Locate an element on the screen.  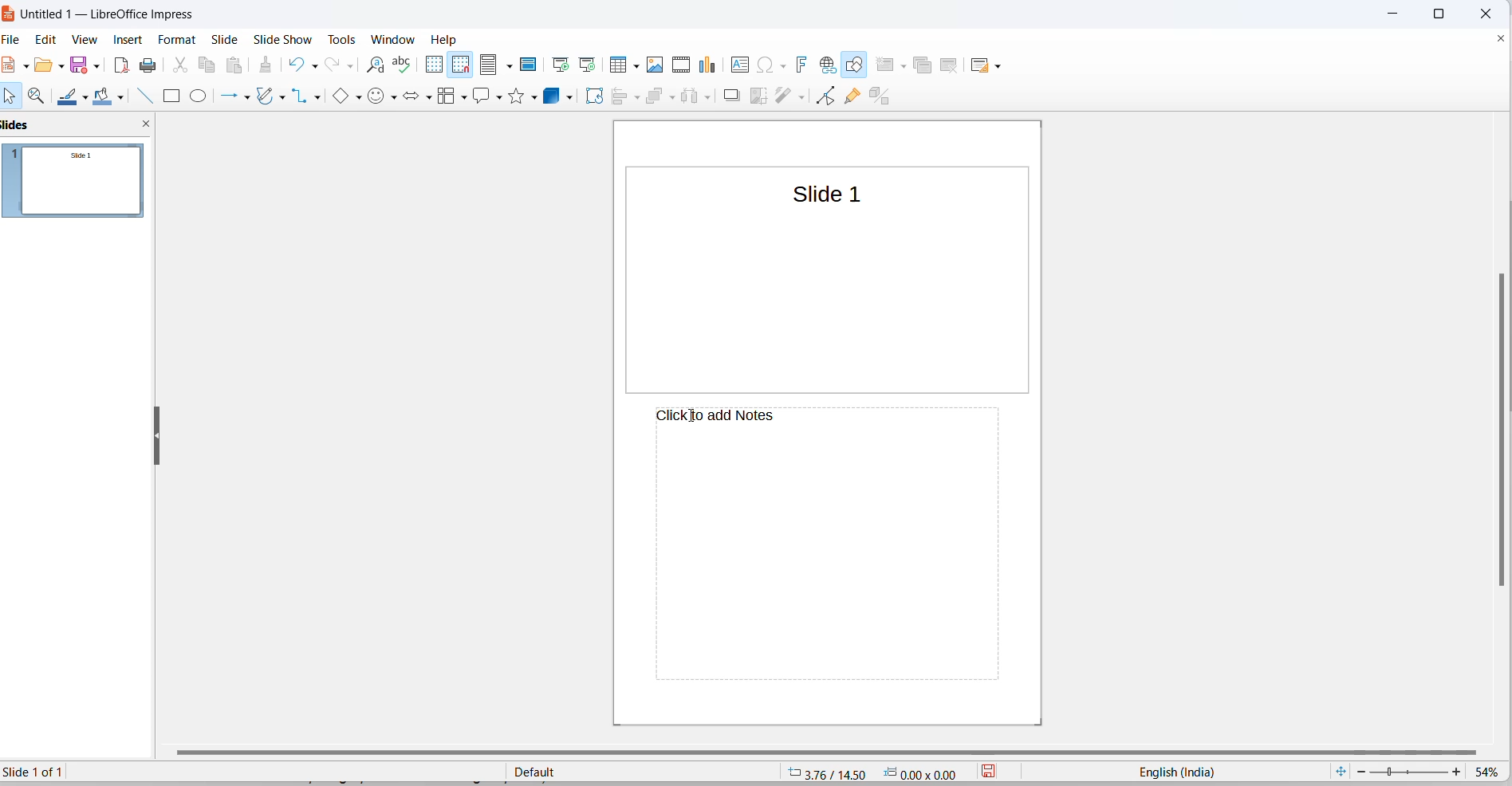
slide show is located at coordinates (283, 40).